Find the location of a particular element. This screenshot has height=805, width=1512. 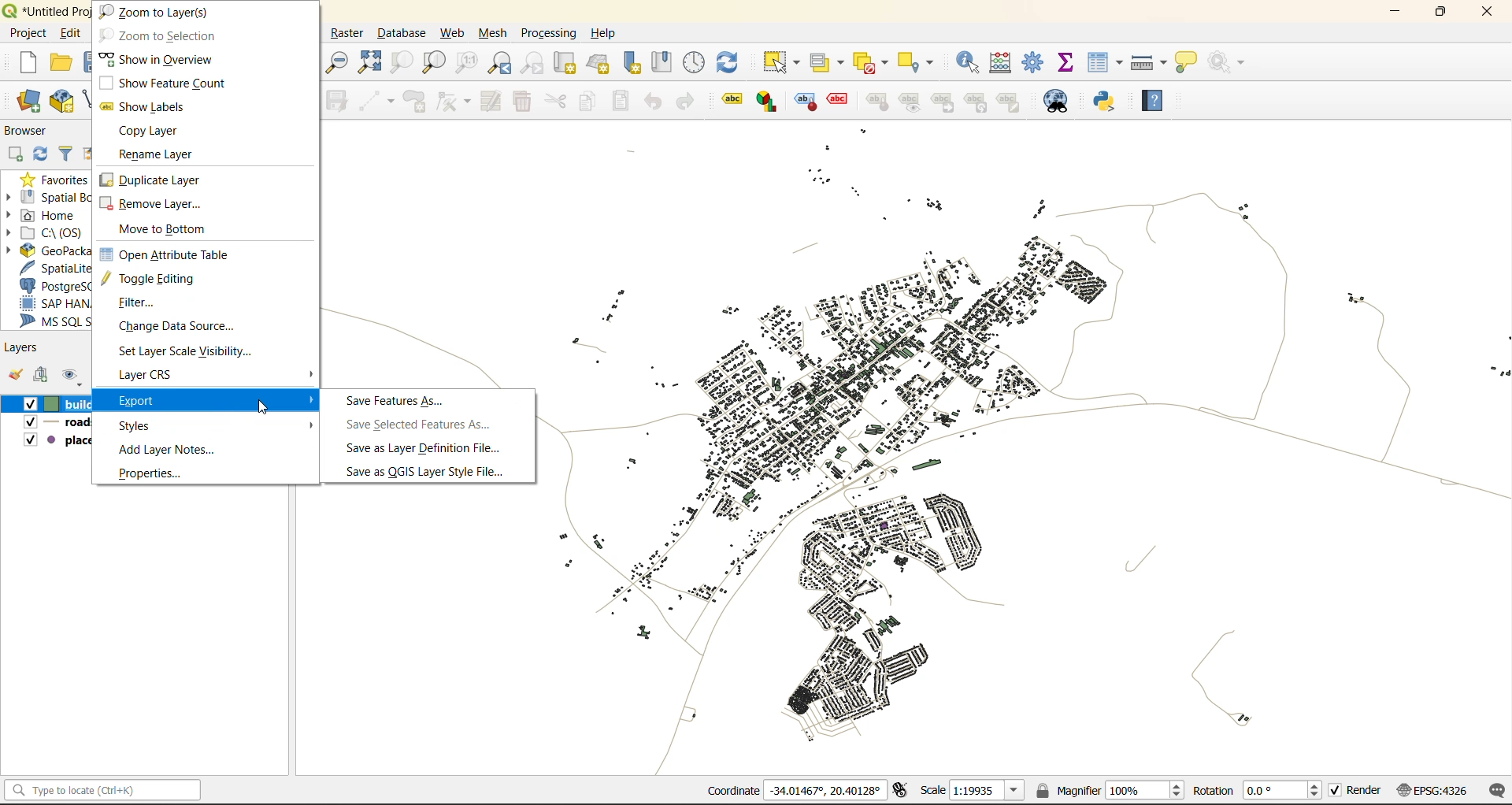

crs is located at coordinates (1435, 789).